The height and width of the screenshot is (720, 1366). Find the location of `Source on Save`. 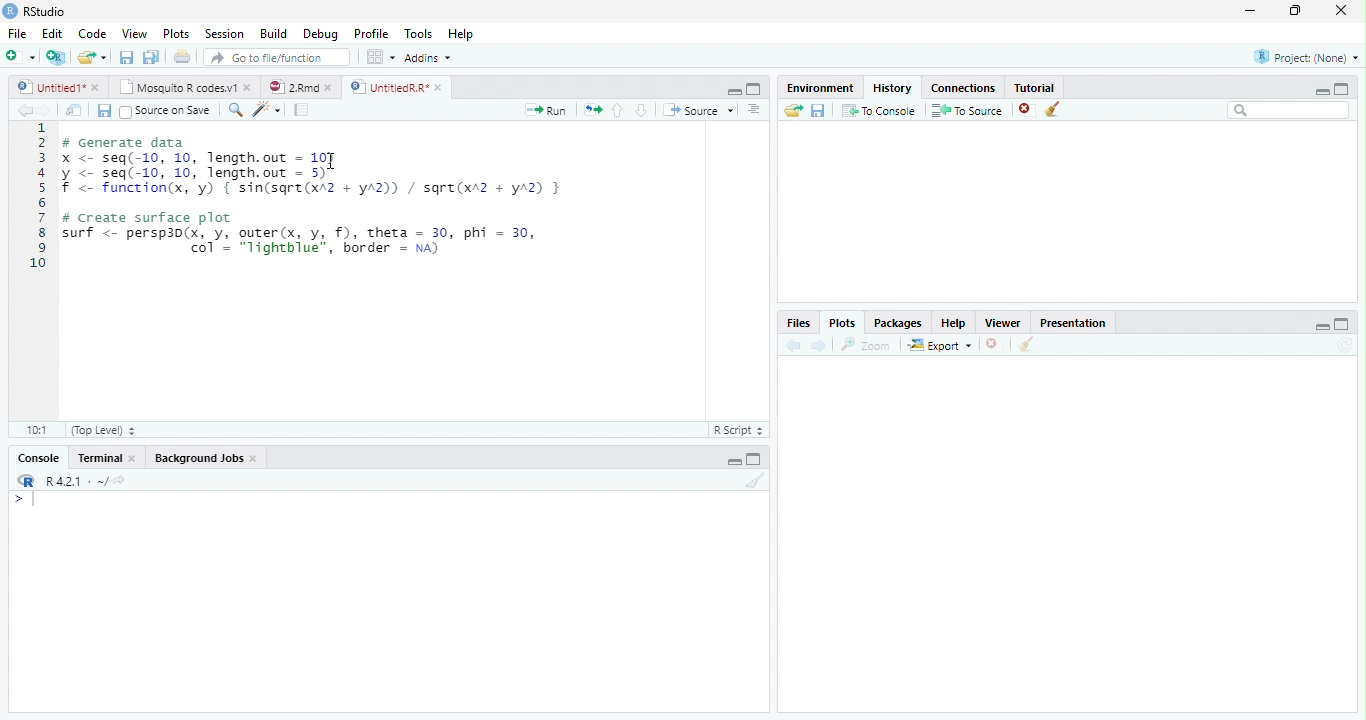

Source on Save is located at coordinates (167, 110).